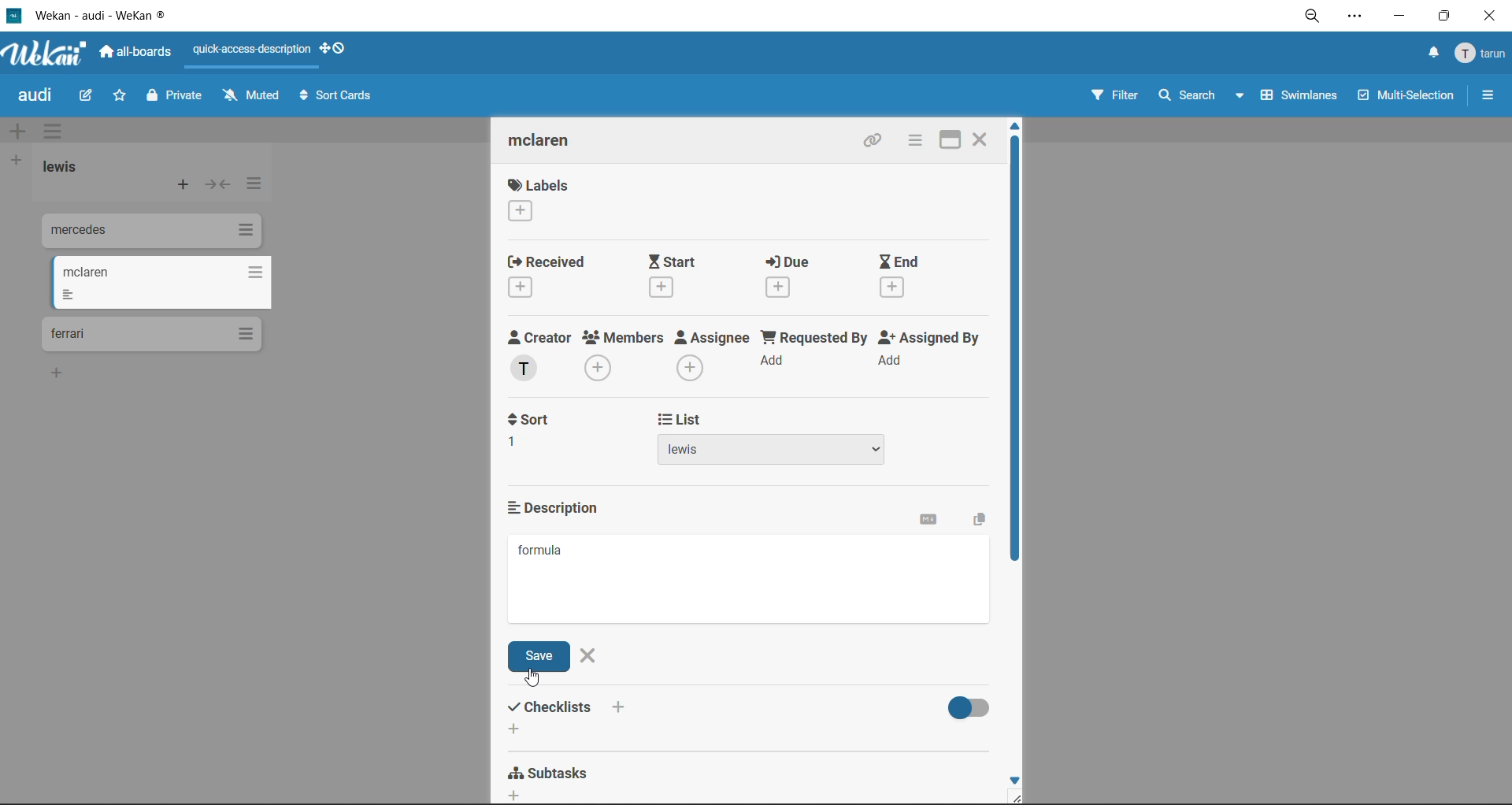 The width and height of the screenshot is (1512, 805). Describe the element at coordinates (254, 95) in the screenshot. I see `muted` at that location.